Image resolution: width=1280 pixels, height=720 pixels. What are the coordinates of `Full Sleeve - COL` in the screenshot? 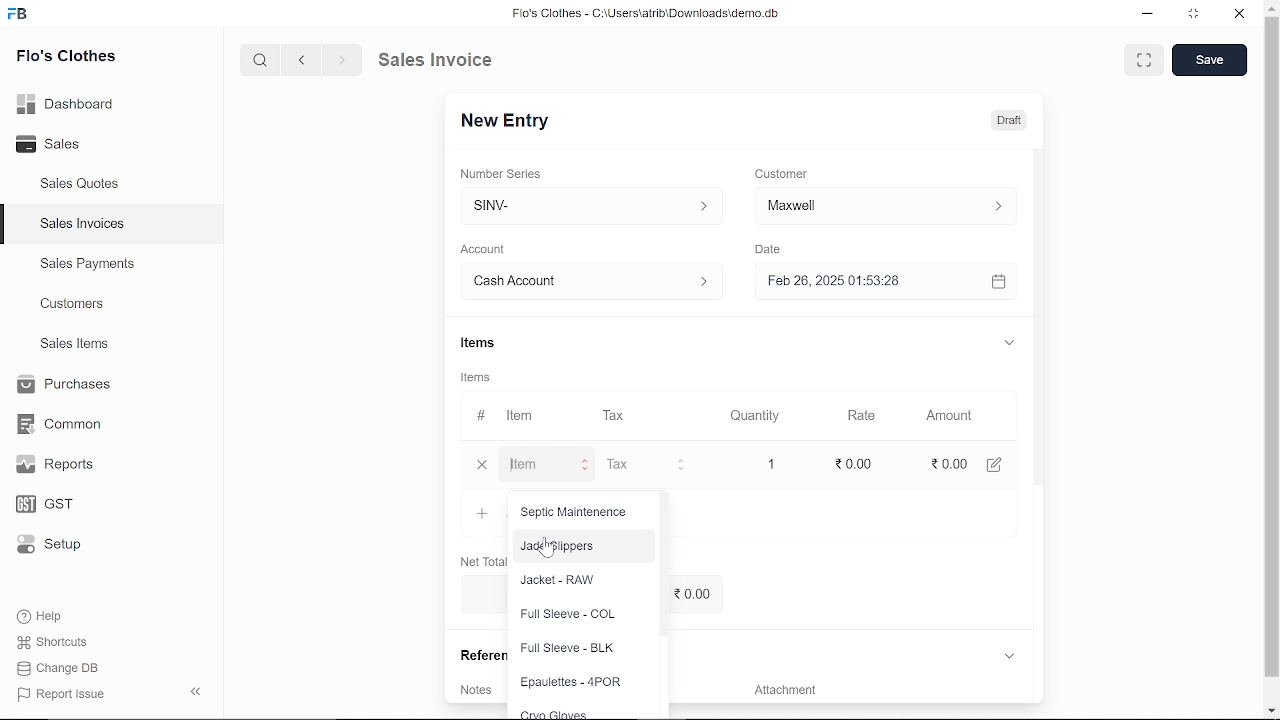 It's located at (582, 616).